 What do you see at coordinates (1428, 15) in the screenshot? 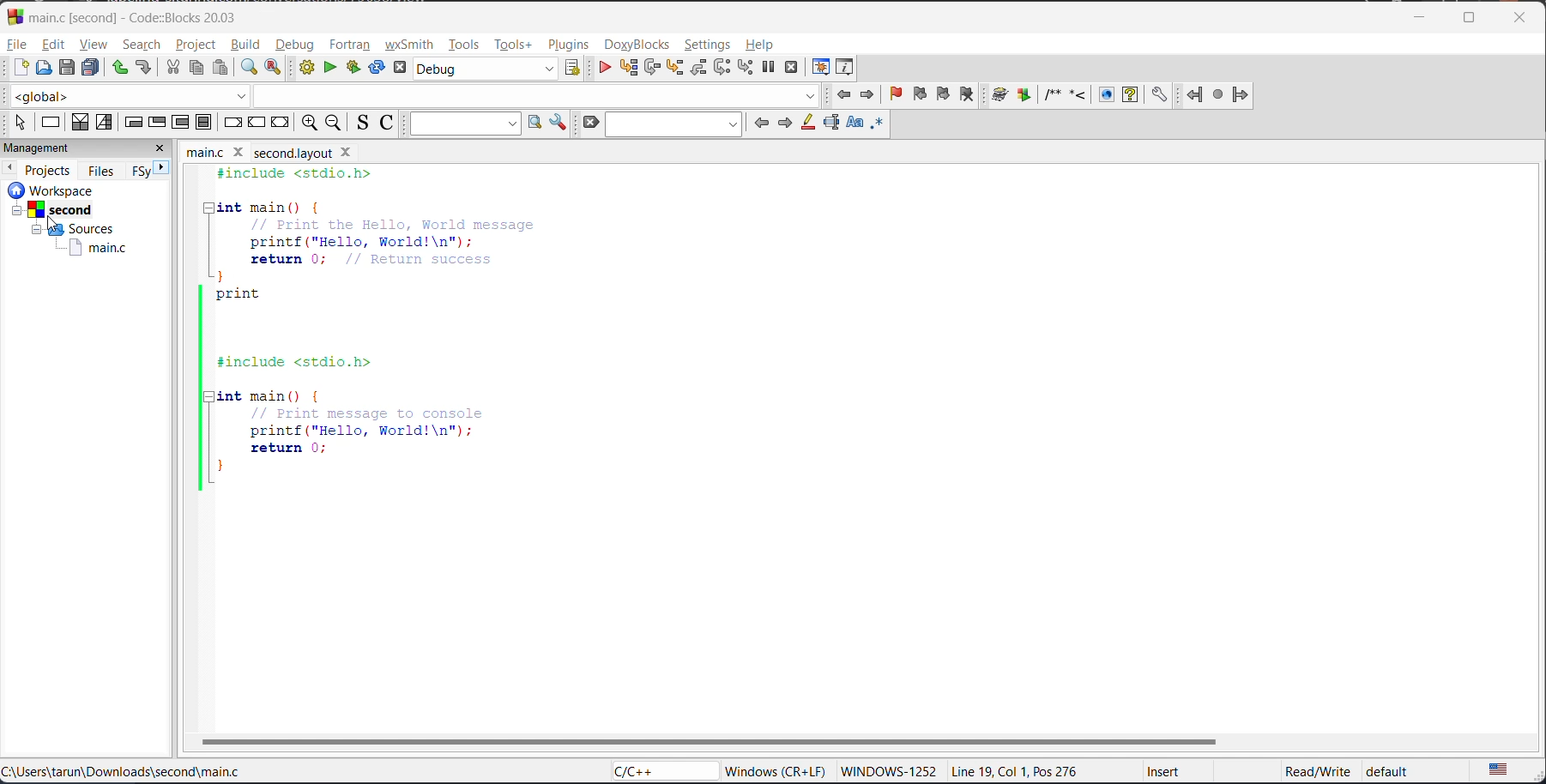
I see `minimize` at bounding box center [1428, 15].